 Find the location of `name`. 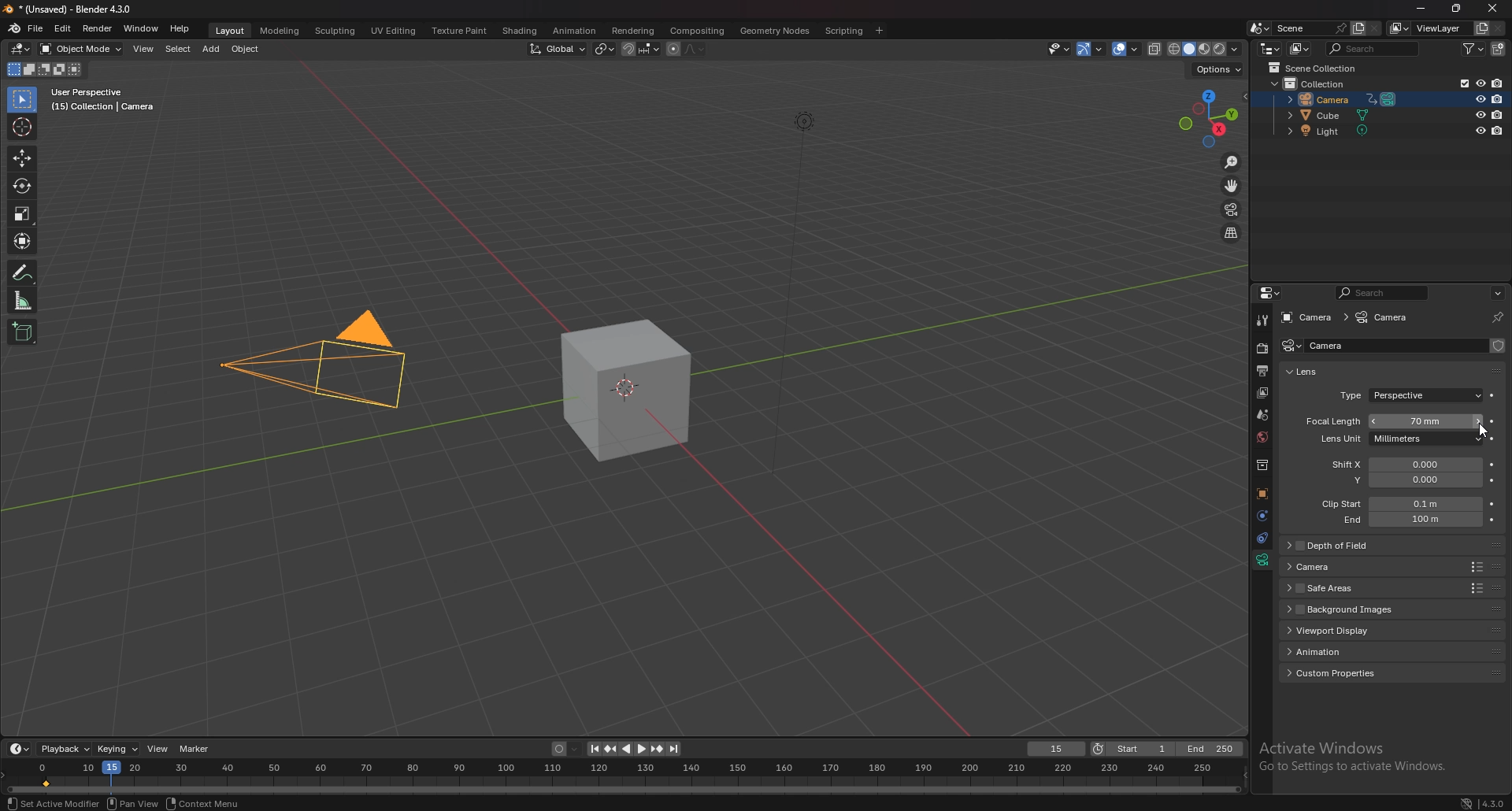

name is located at coordinates (1336, 346).